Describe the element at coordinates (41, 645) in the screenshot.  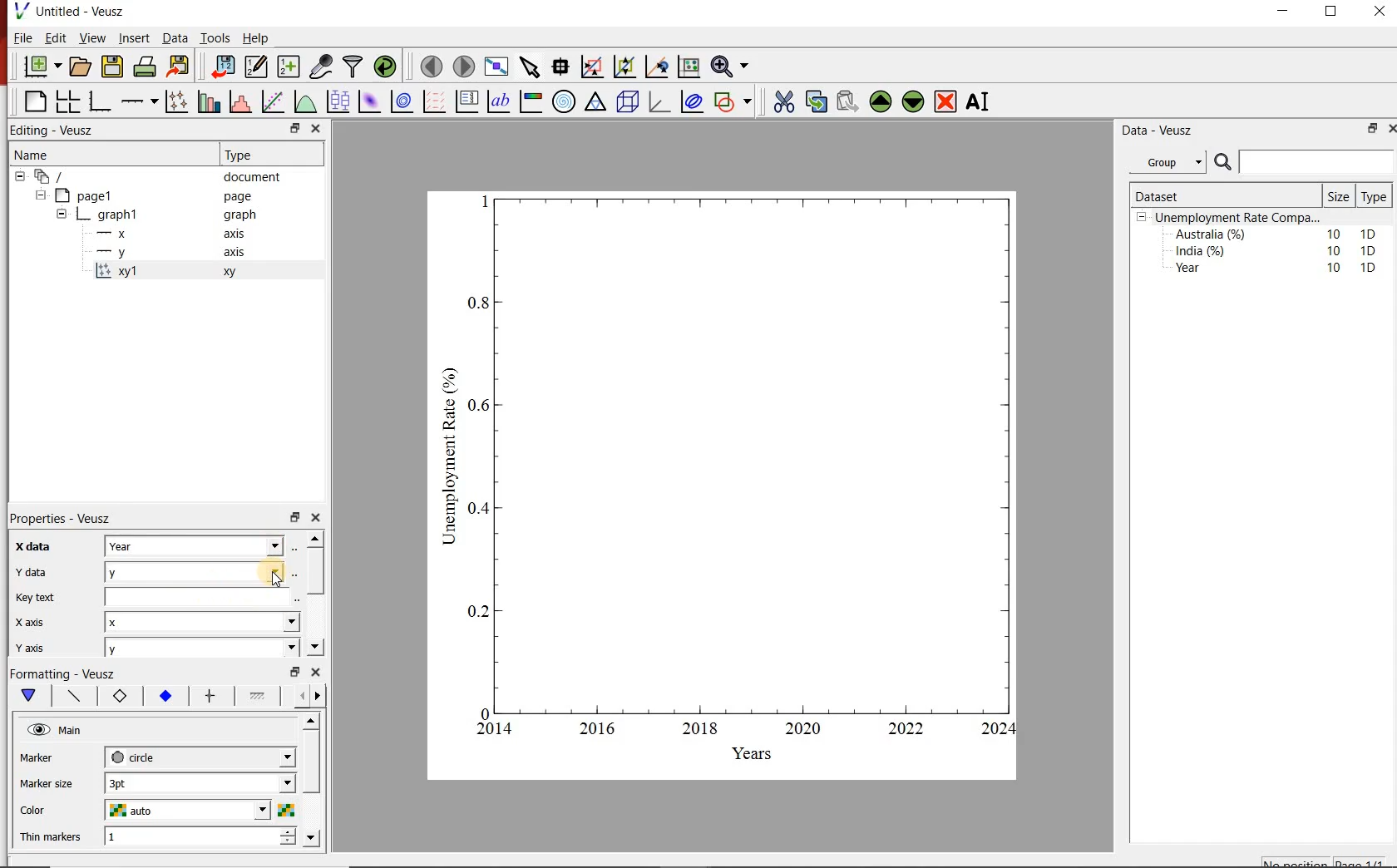
I see `y axis` at that location.